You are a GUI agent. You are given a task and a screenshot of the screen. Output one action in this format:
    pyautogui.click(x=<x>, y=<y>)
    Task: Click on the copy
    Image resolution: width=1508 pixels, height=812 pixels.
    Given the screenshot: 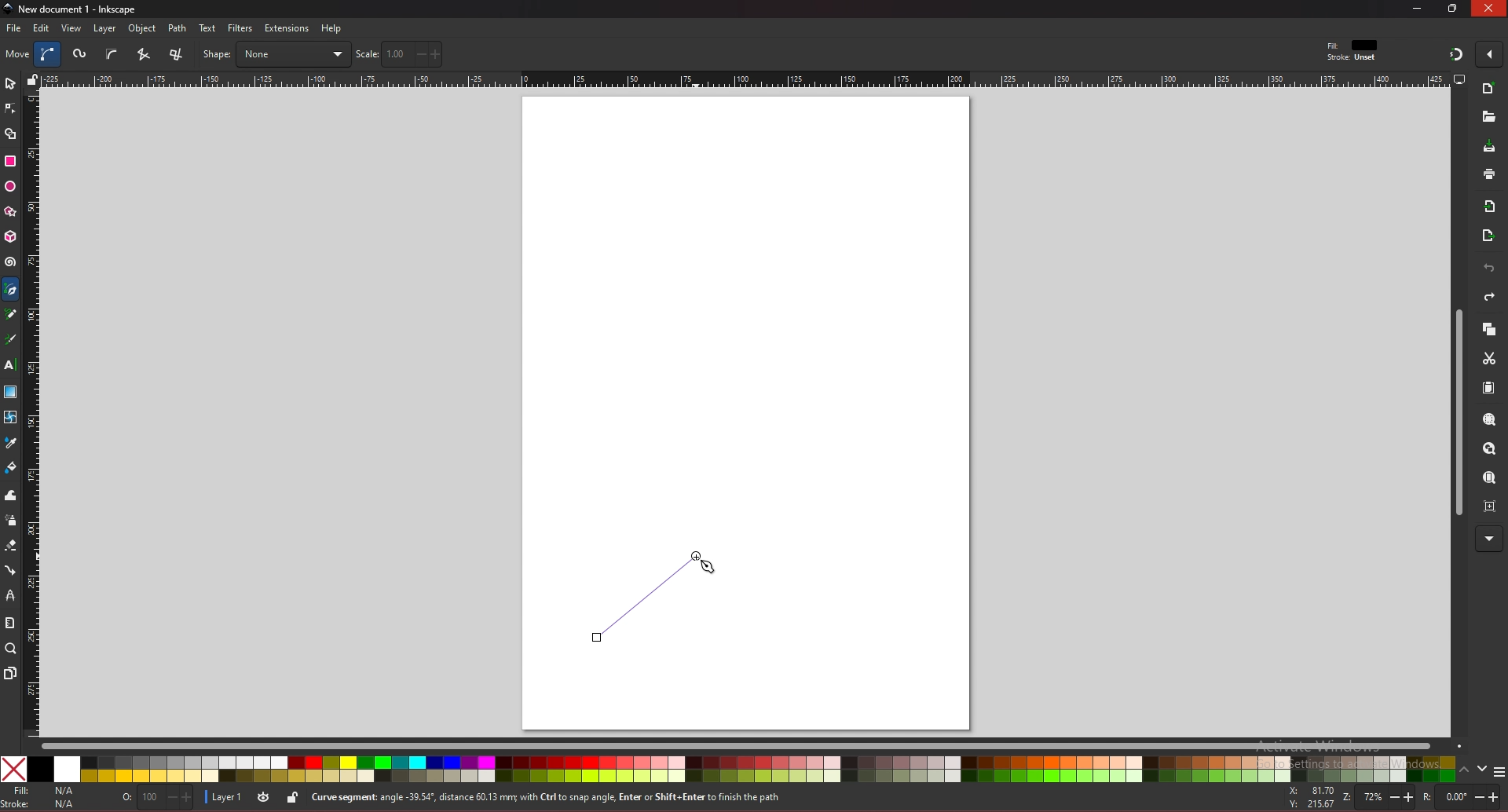 What is the action you would take?
    pyautogui.click(x=1488, y=330)
    